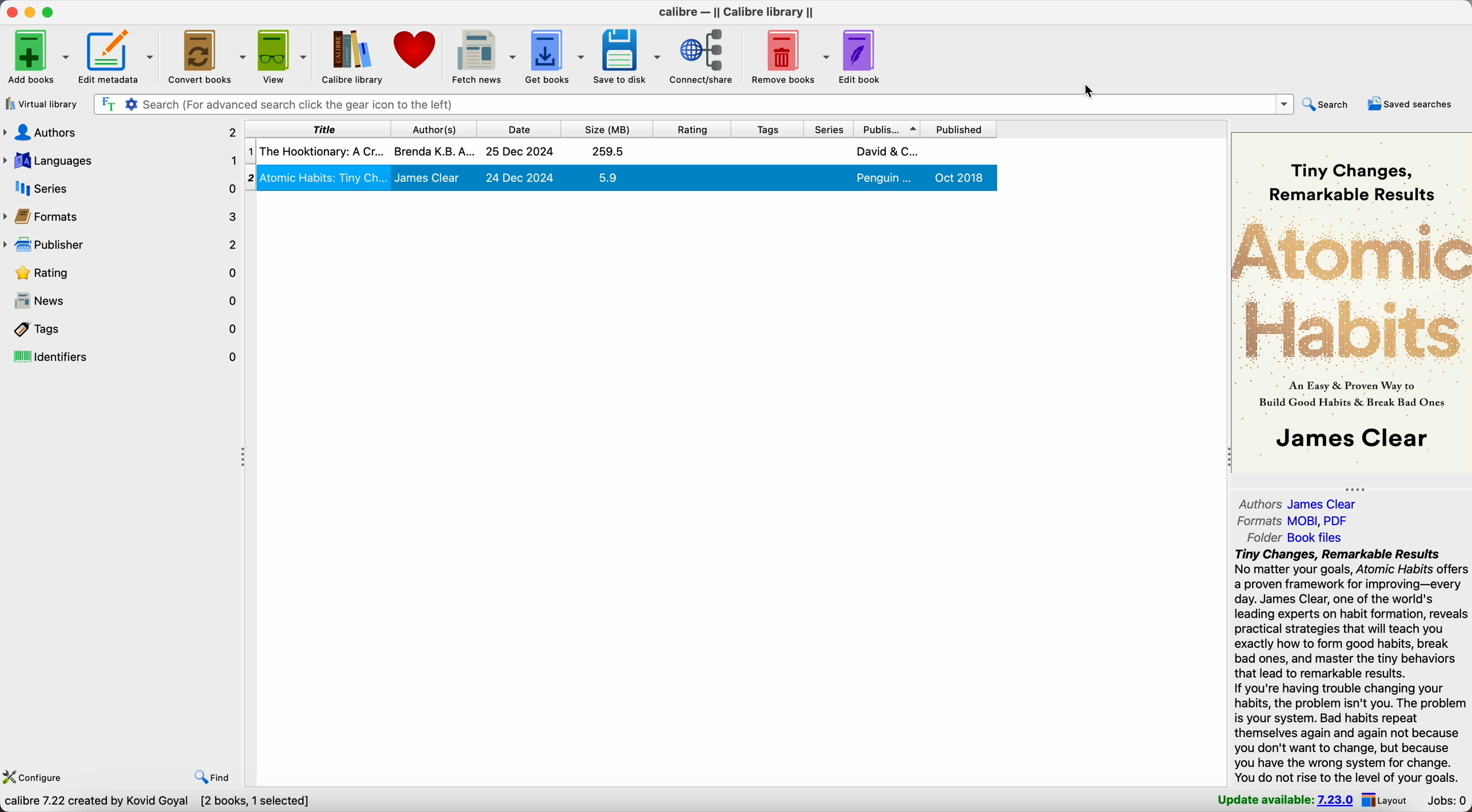 Image resolution: width=1472 pixels, height=812 pixels. I want to click on formats, so click(1297, 520).